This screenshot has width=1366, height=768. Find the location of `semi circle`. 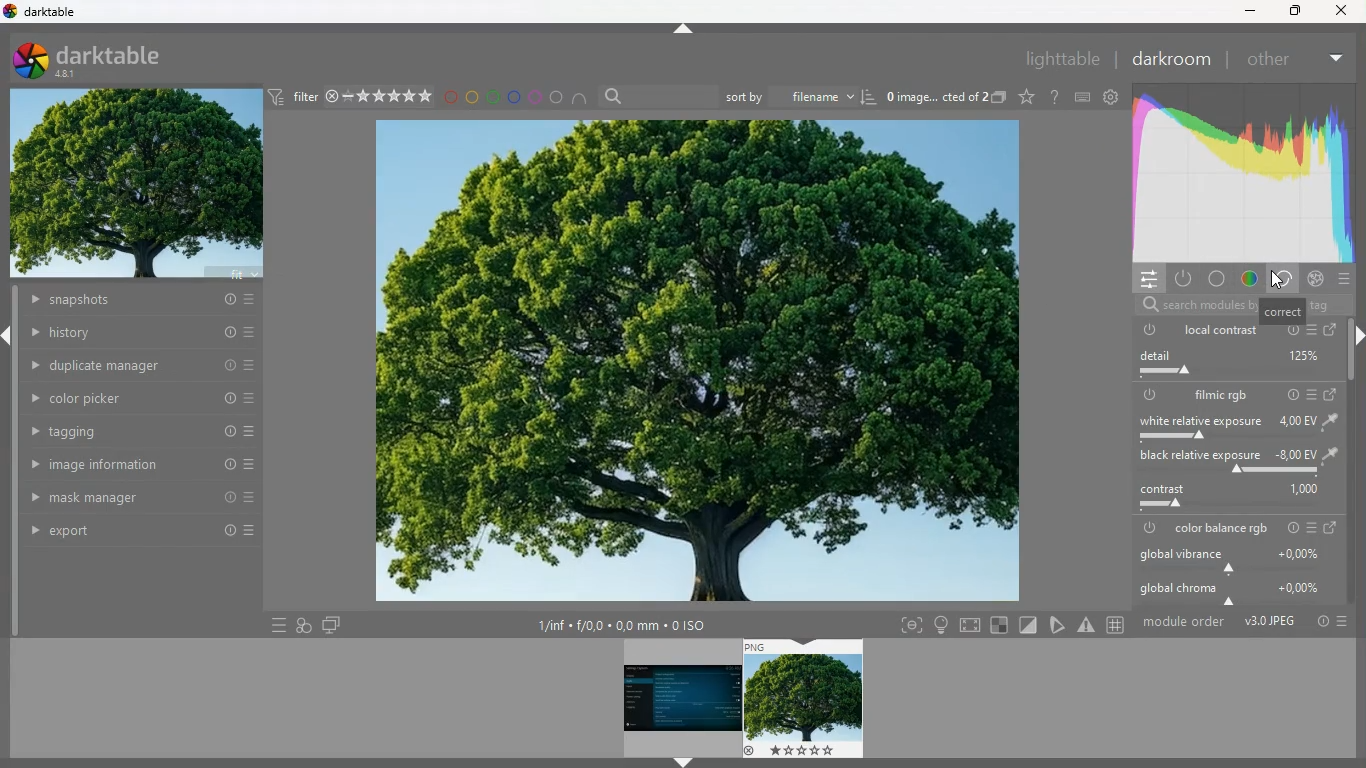

semi circle is located at coordinates (581, 97).